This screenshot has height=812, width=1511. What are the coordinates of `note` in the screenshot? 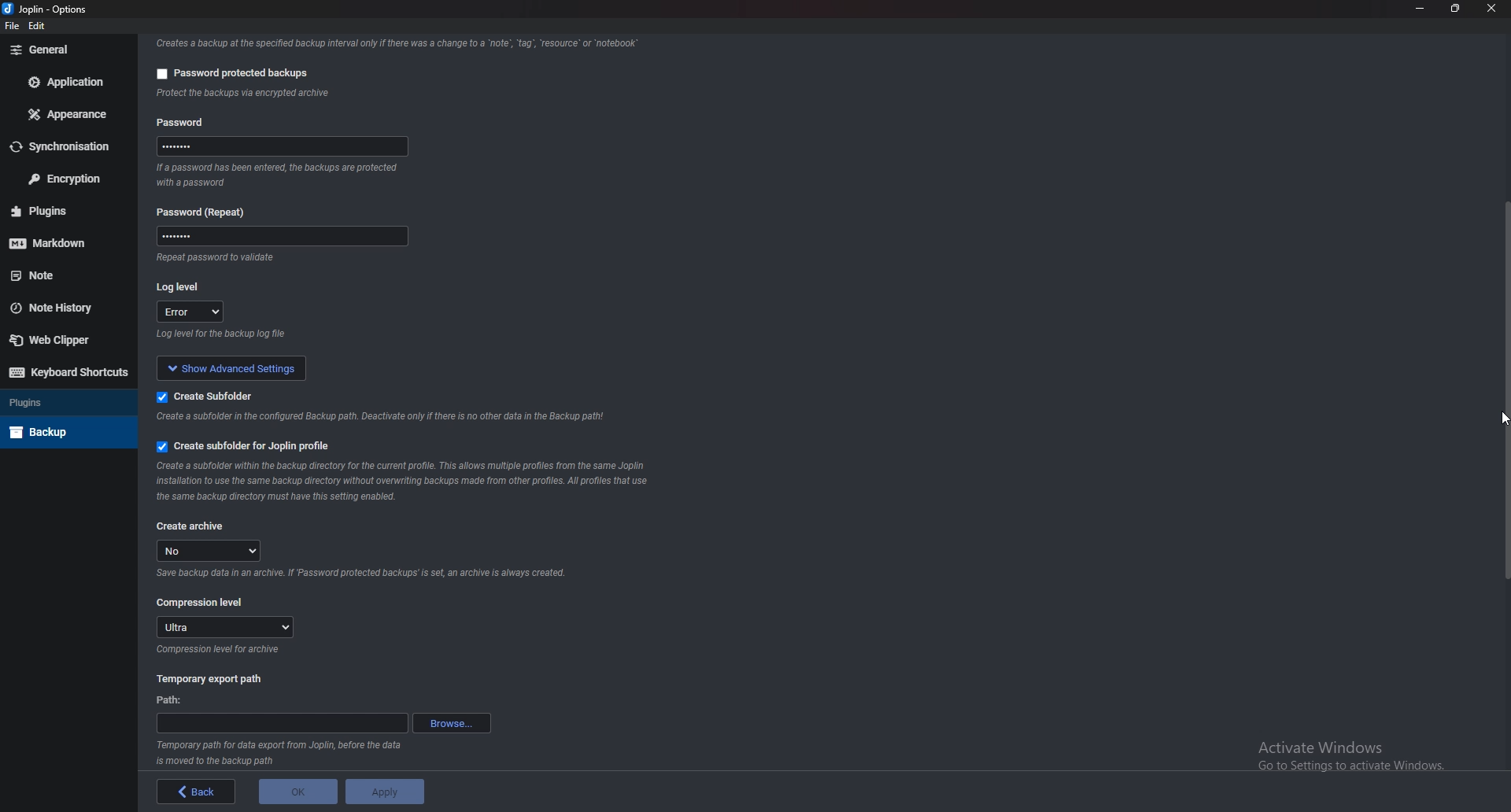 It's located at (62, 275).